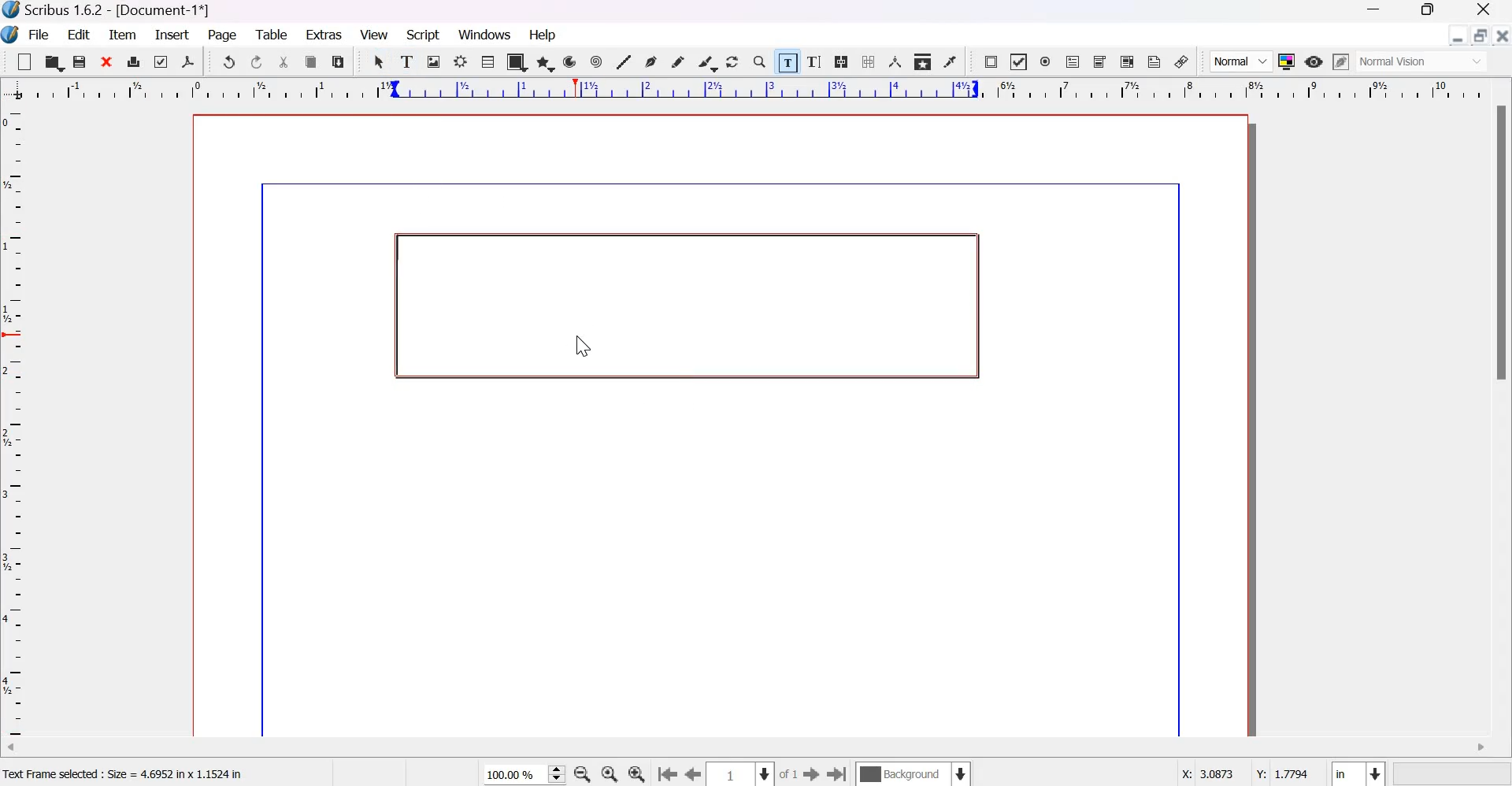 The width and height of the screenshot is (1512, 786). I want to click on Go to the next page, so click(811, 774).